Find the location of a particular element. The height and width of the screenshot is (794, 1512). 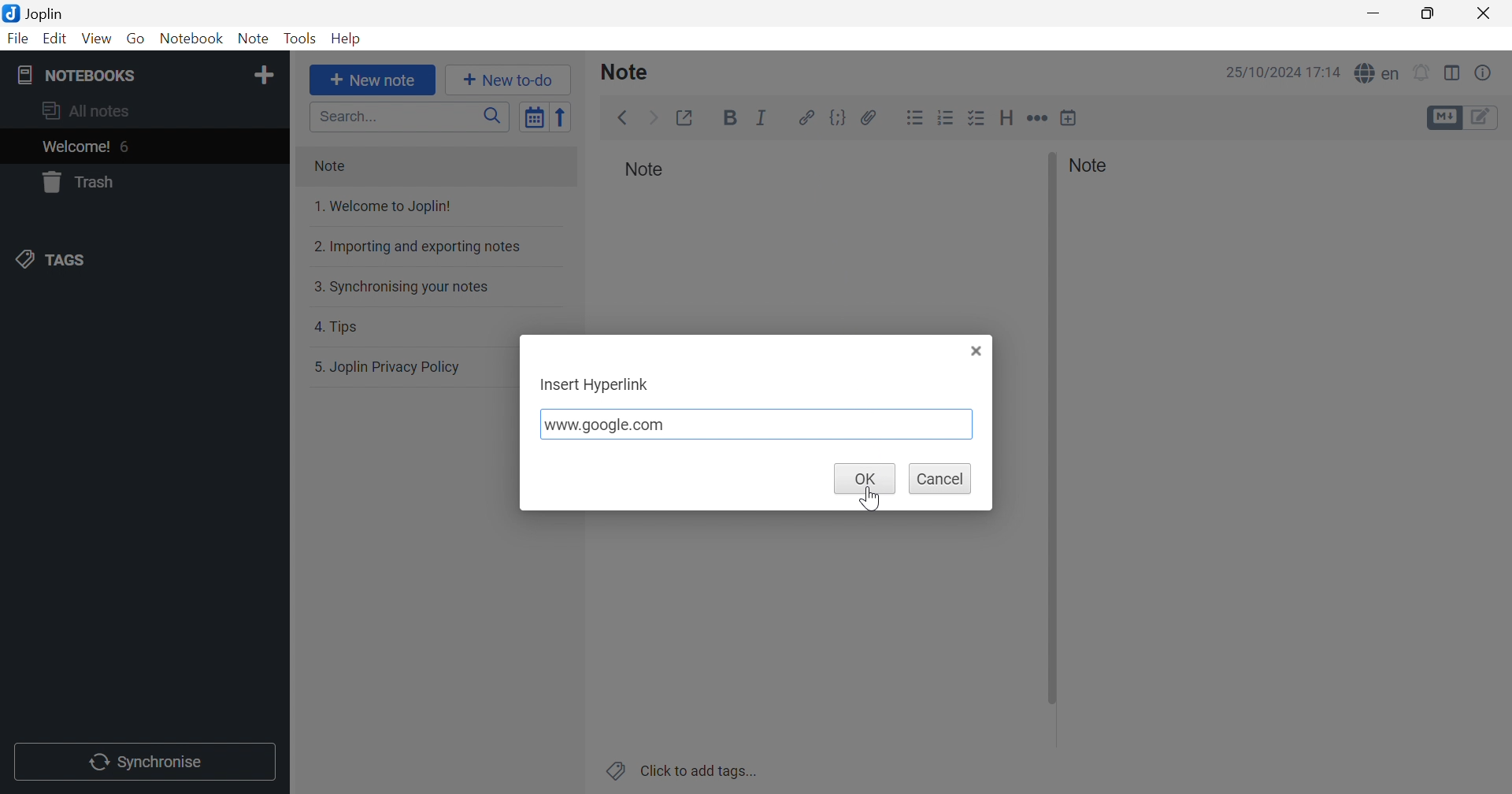

Note is located at coordinates (645, 173).